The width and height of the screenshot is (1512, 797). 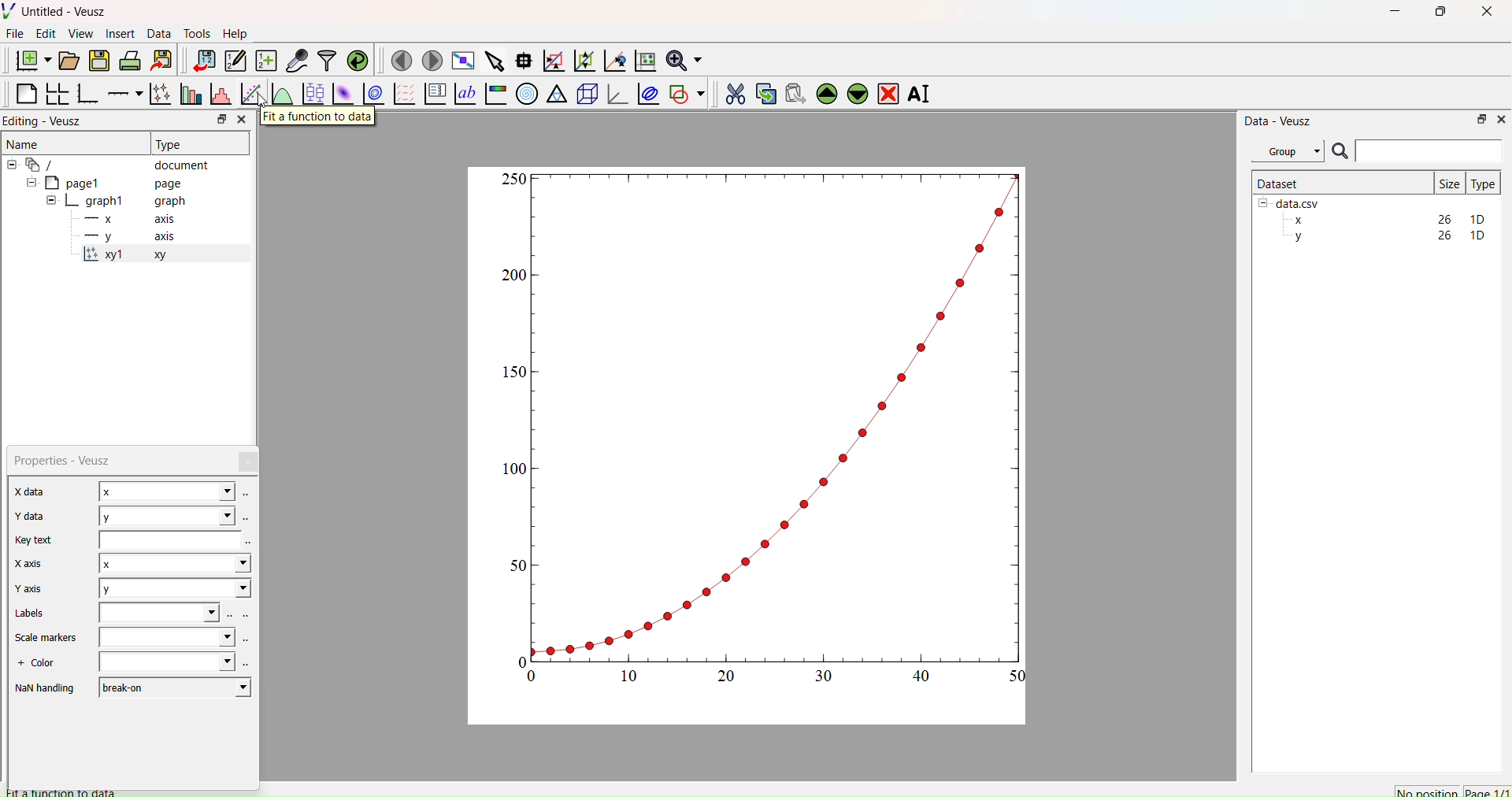 What do you see at coordinates (1385, 235) in the screenshot?
I see `y 26 1D` at bounding box center [1385, 235].